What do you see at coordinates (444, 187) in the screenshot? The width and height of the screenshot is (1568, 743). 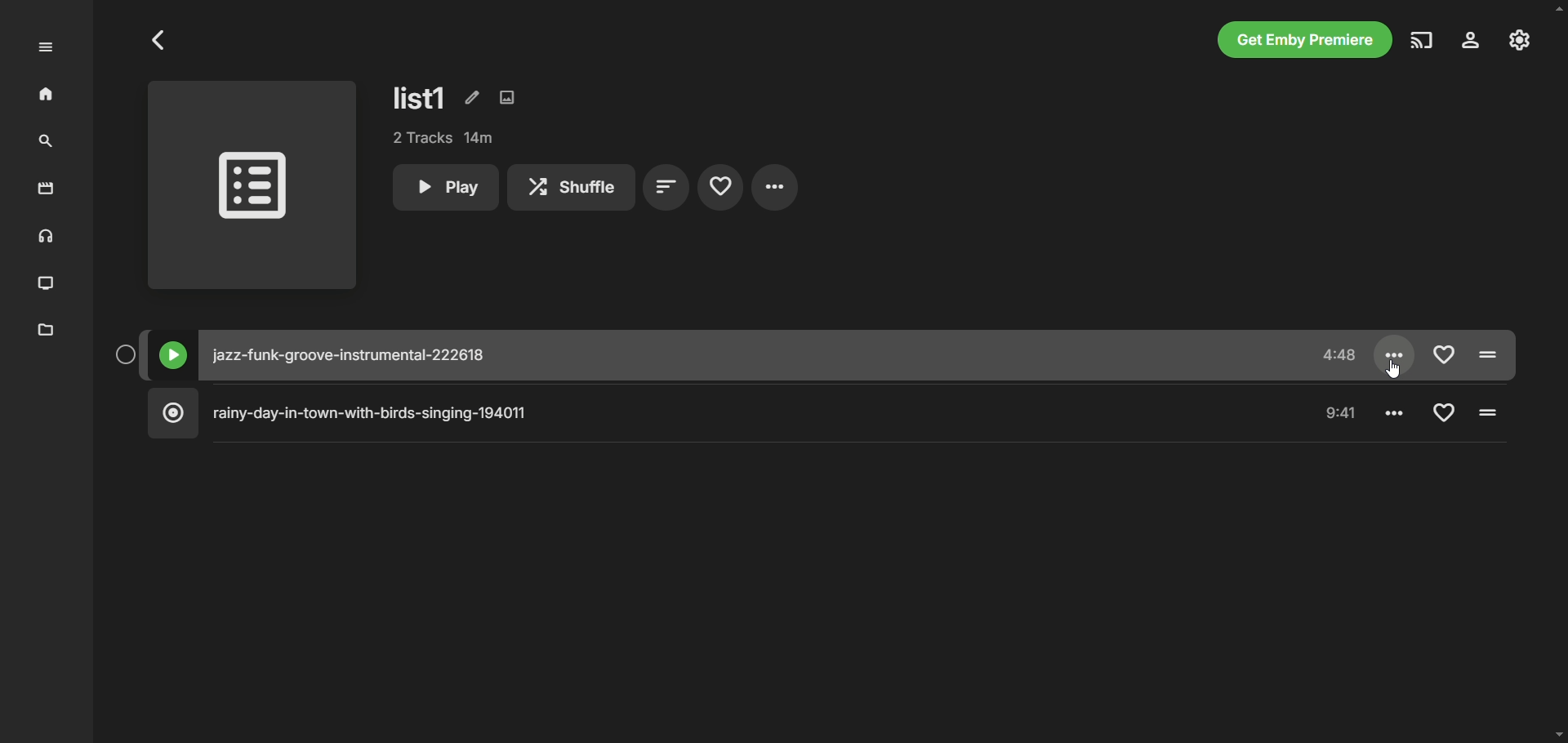 I see `play` at bounding box center [444, 187].